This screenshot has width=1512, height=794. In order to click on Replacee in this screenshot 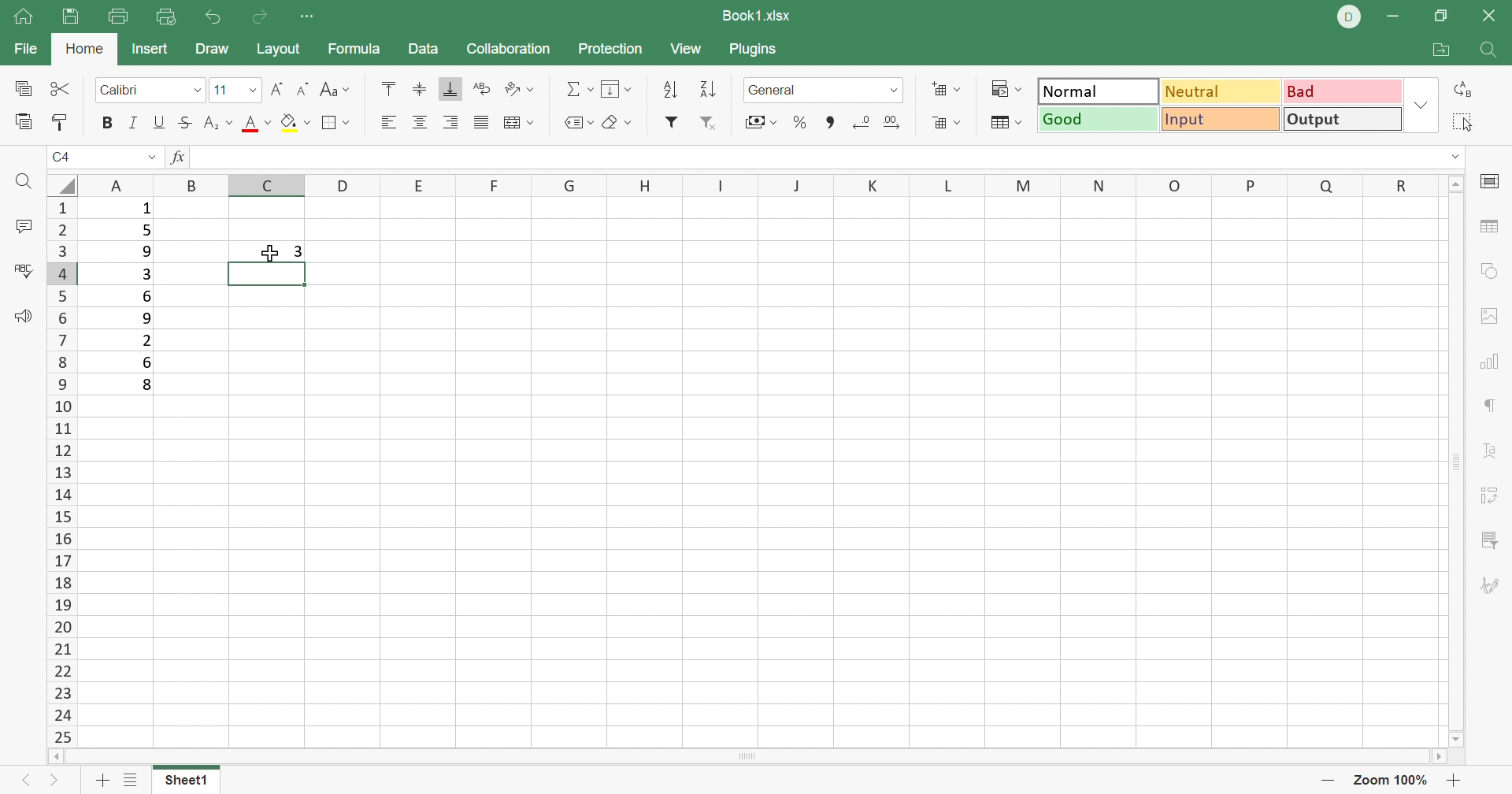, I will do `click(1465, 89)`.